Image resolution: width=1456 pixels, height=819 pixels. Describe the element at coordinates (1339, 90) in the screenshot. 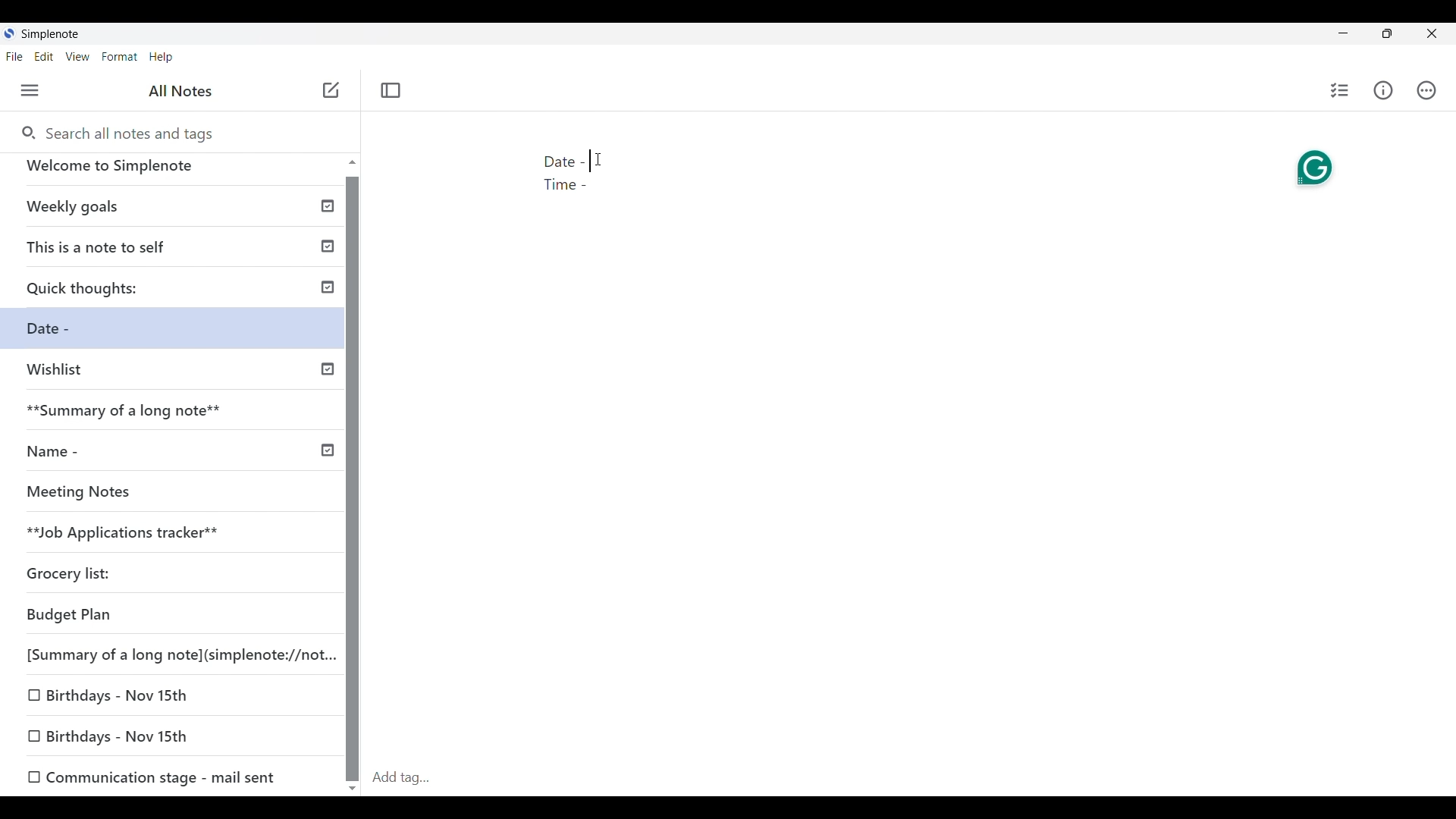

I see `Insert cheklist` at that location.